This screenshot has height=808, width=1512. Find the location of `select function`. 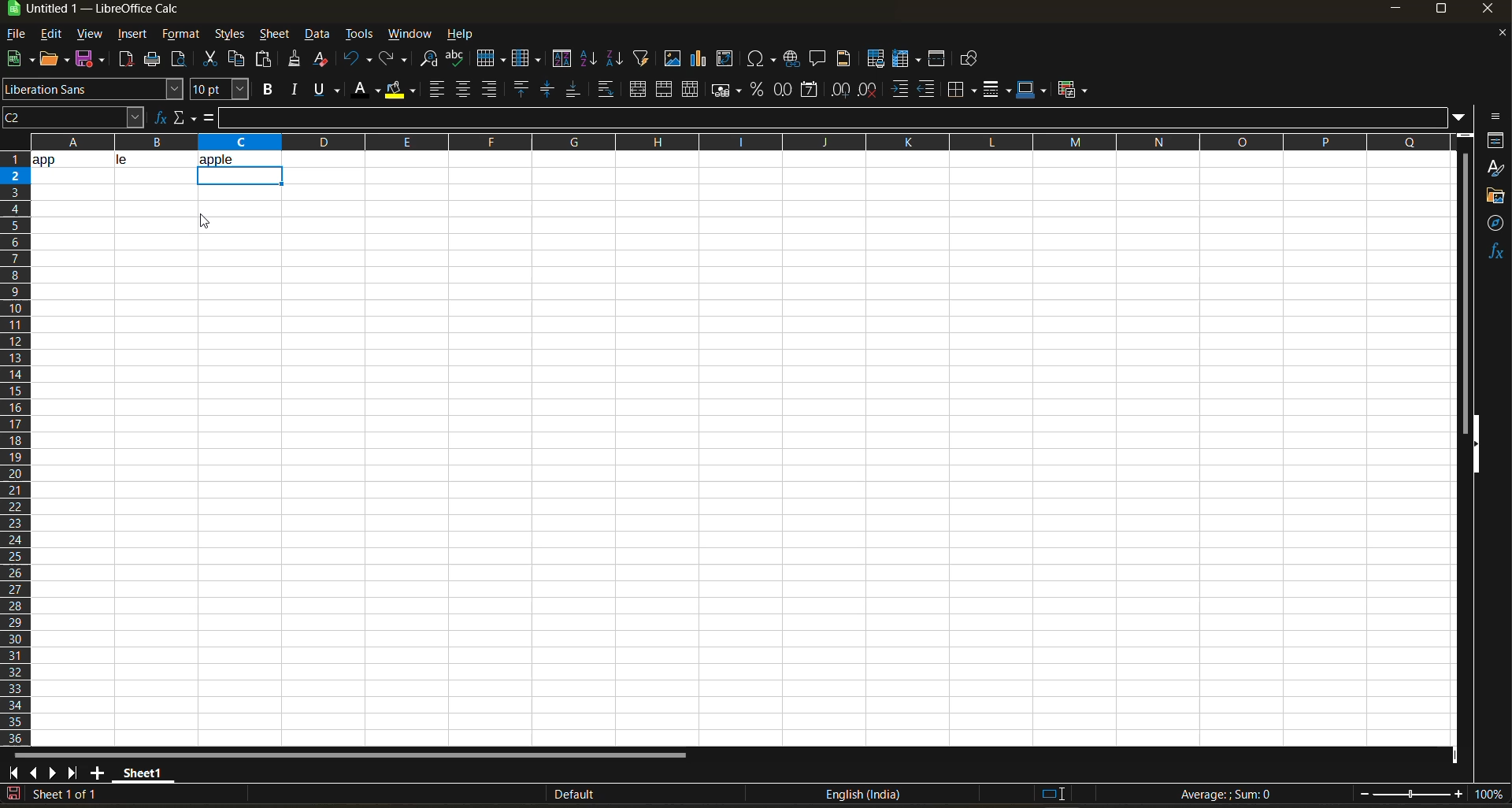

select function is located at coordinates (183, 116).